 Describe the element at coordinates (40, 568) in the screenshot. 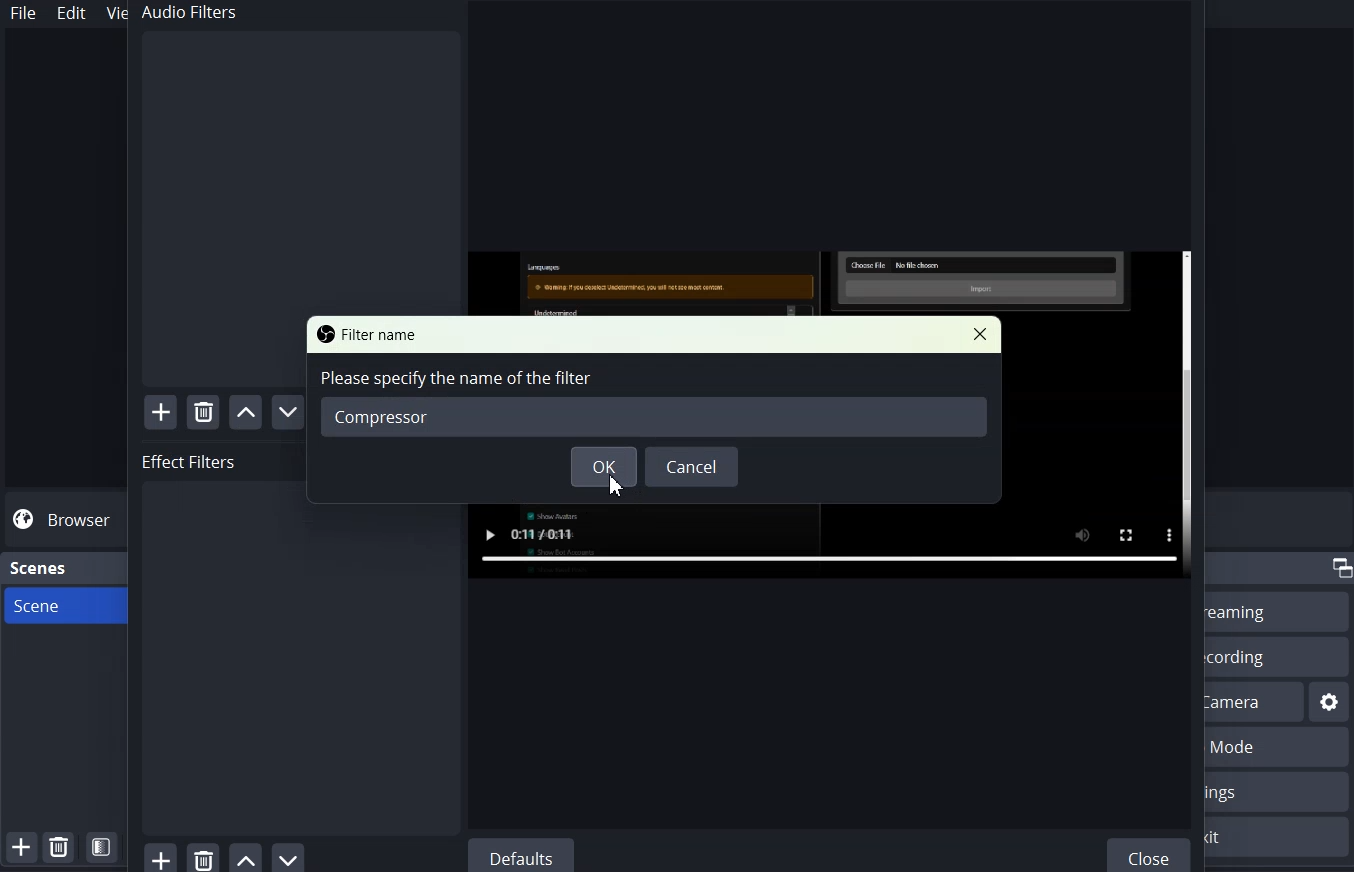

I see `Scene` at that location.